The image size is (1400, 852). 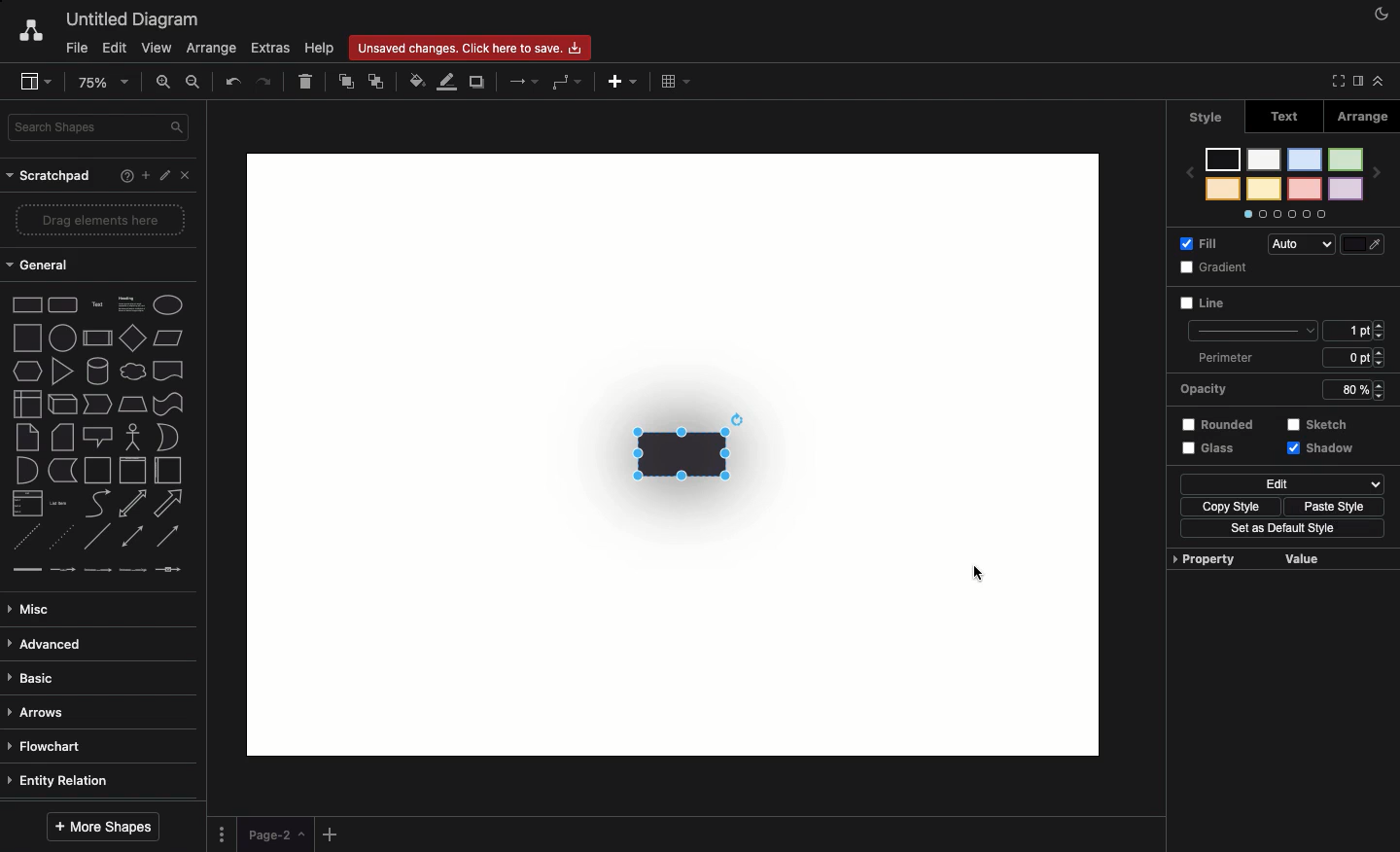 I want to click on Fill, so click(x=1201, y=243).